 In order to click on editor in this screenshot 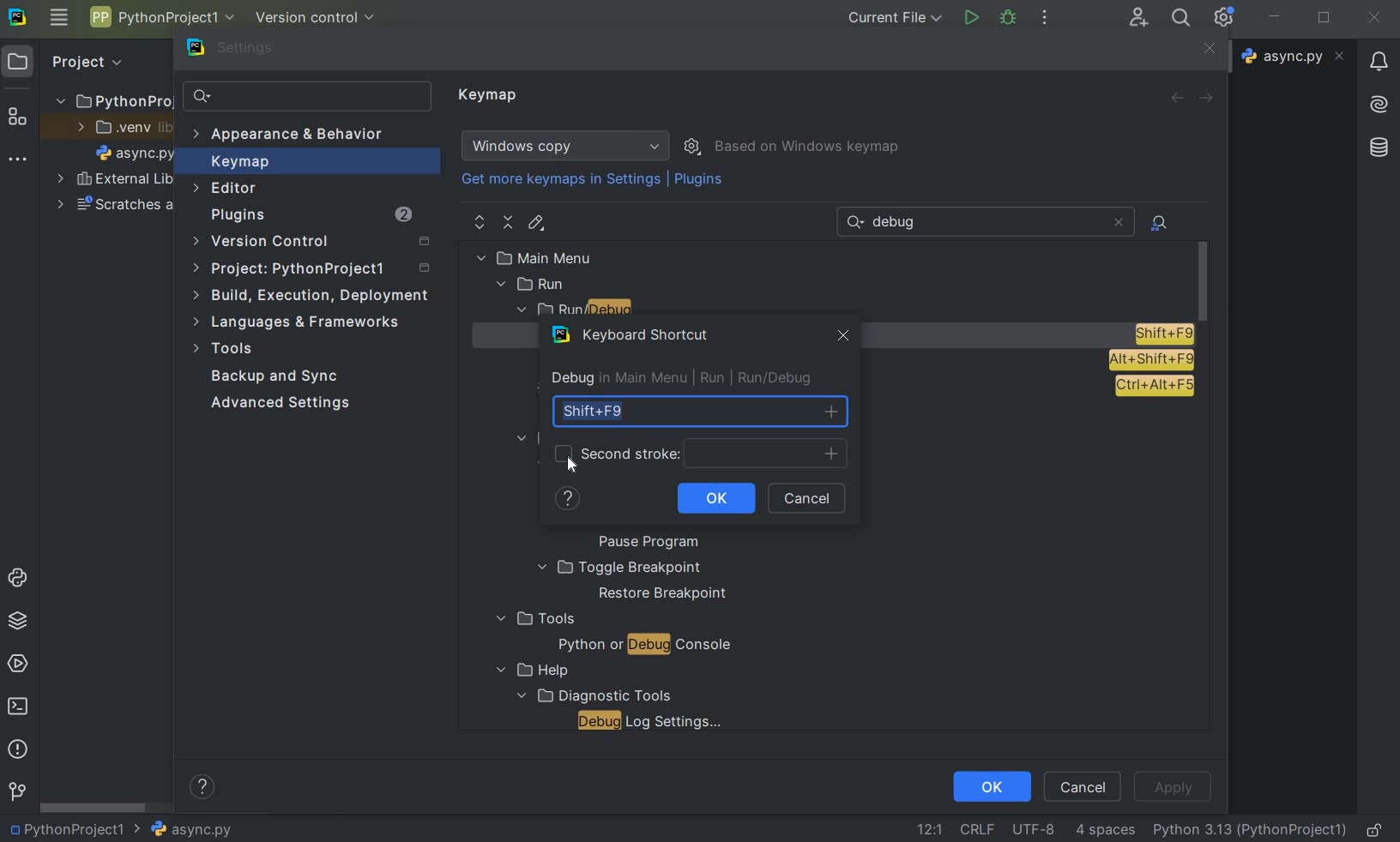, I will do `click(226, 188)`.